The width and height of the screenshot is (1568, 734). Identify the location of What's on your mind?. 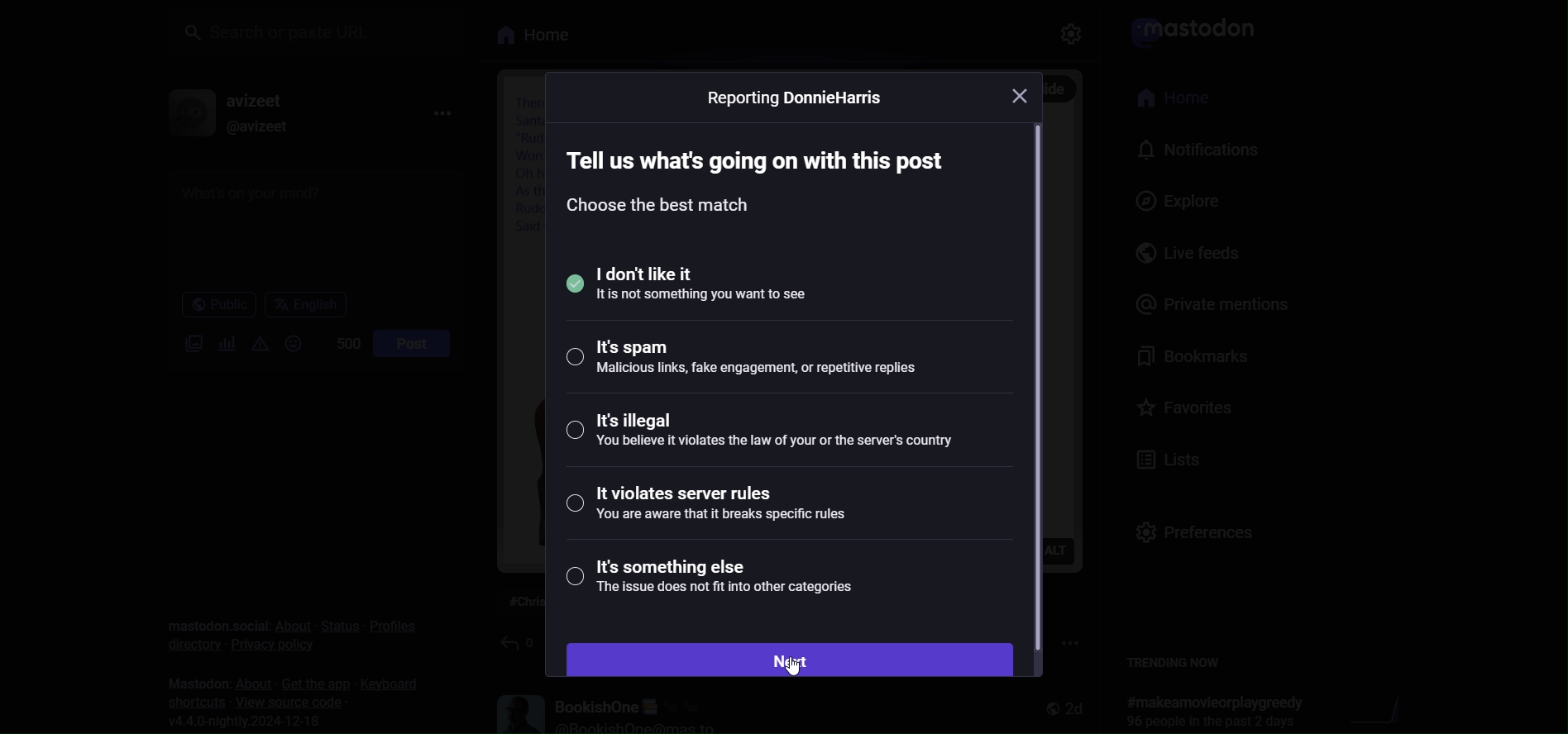
(308, 227).